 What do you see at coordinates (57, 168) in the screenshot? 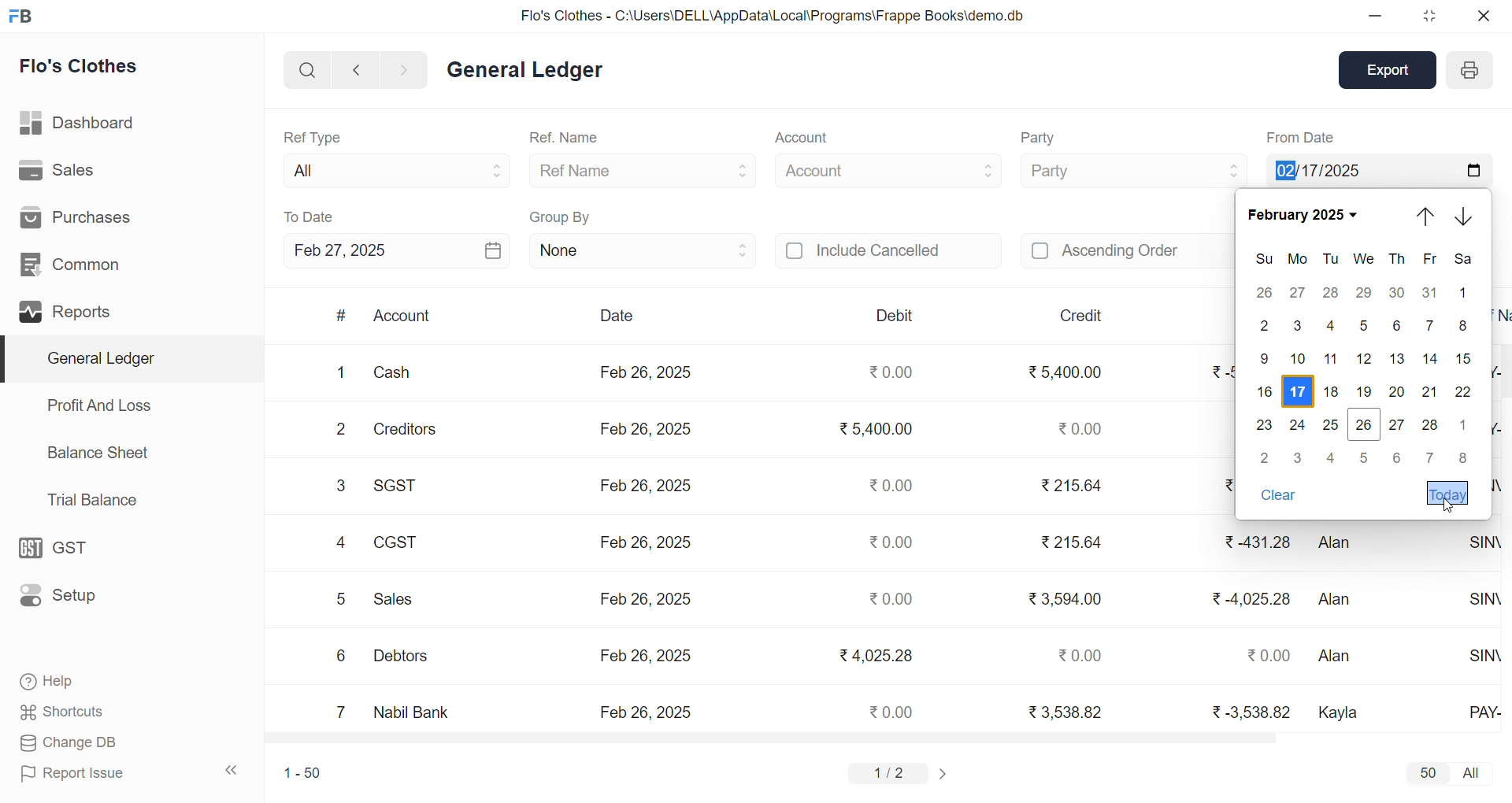
I see `Sales` at bounding box center [57, 168].